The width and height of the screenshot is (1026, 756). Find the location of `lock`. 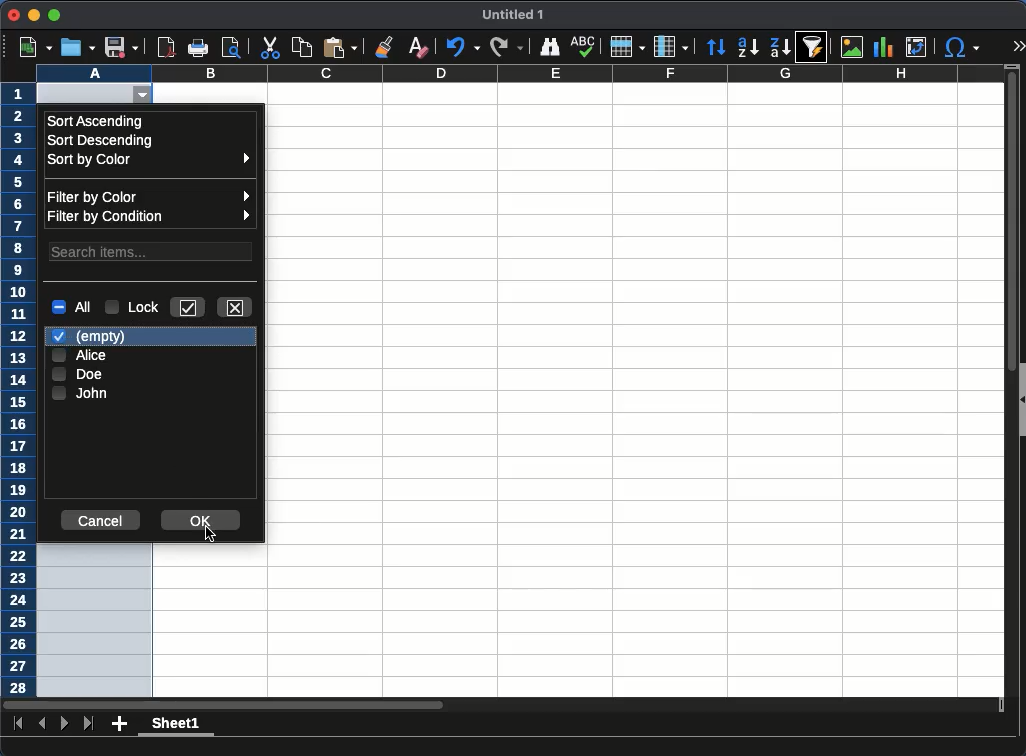

lock is located at coordinates (133, 306).